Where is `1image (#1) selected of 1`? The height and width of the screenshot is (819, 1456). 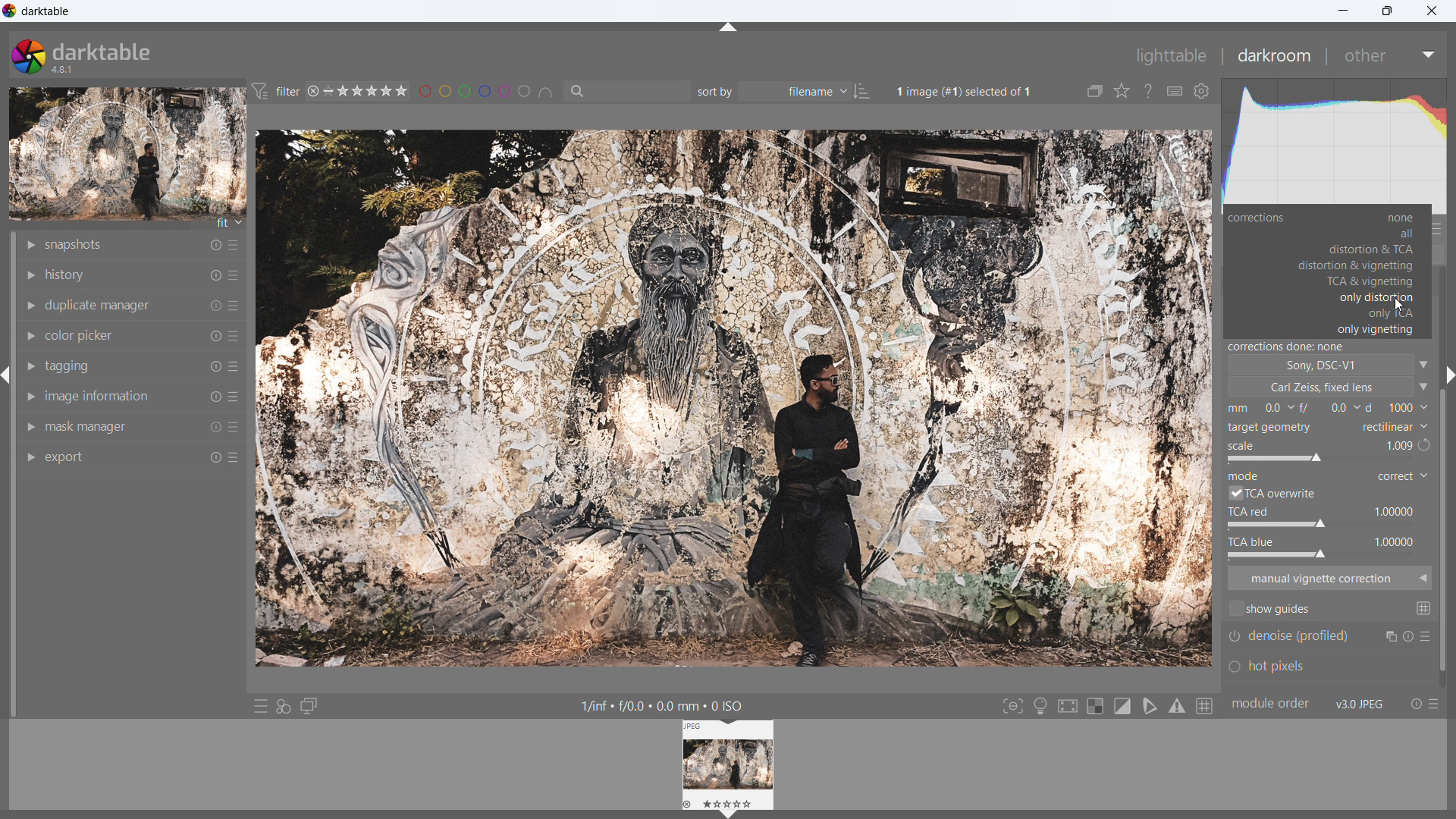
1image (#1) selected of 1 is located at coordinates (972, 89).